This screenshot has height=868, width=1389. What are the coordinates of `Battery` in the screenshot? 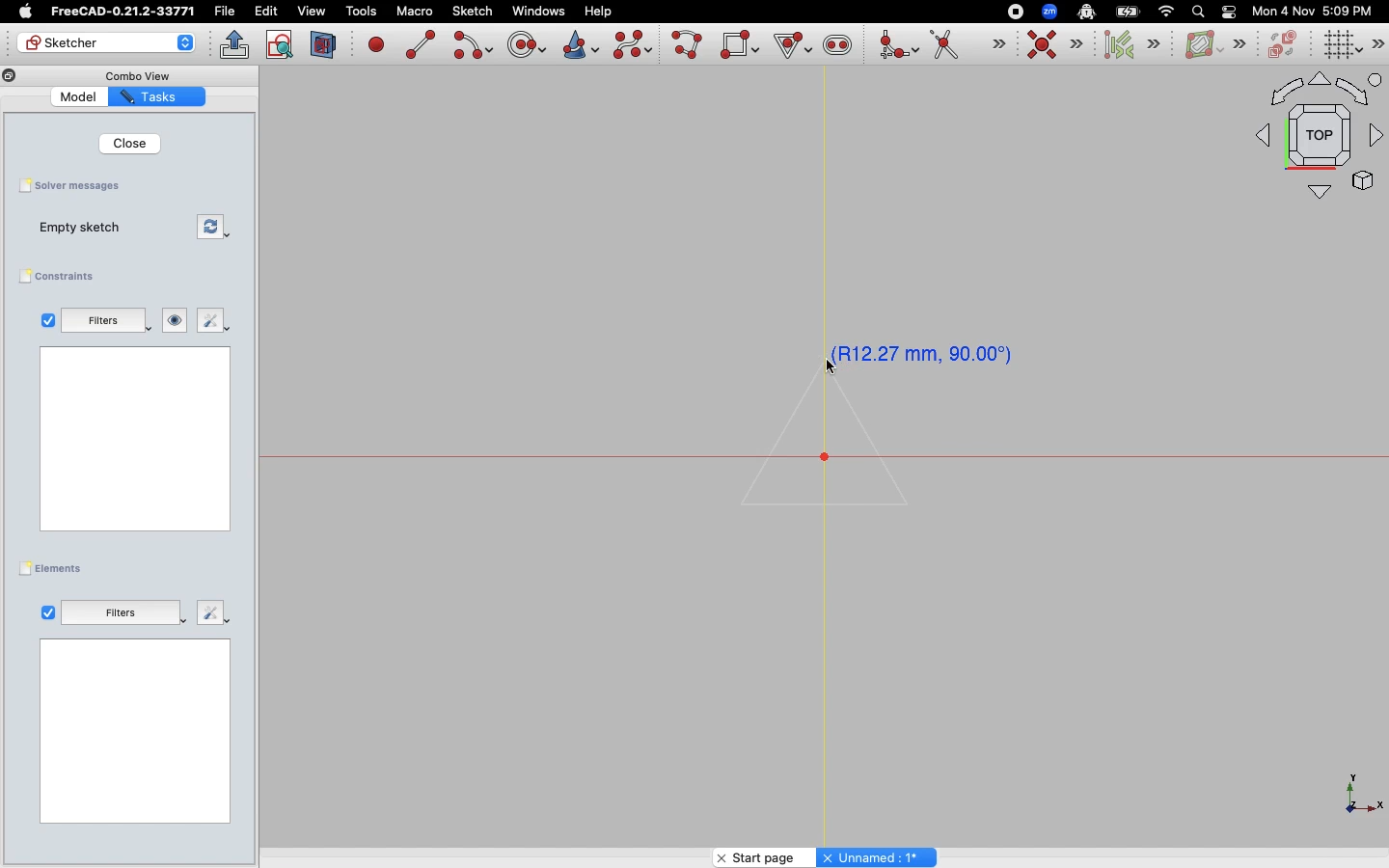 It's located at (1129, 11).